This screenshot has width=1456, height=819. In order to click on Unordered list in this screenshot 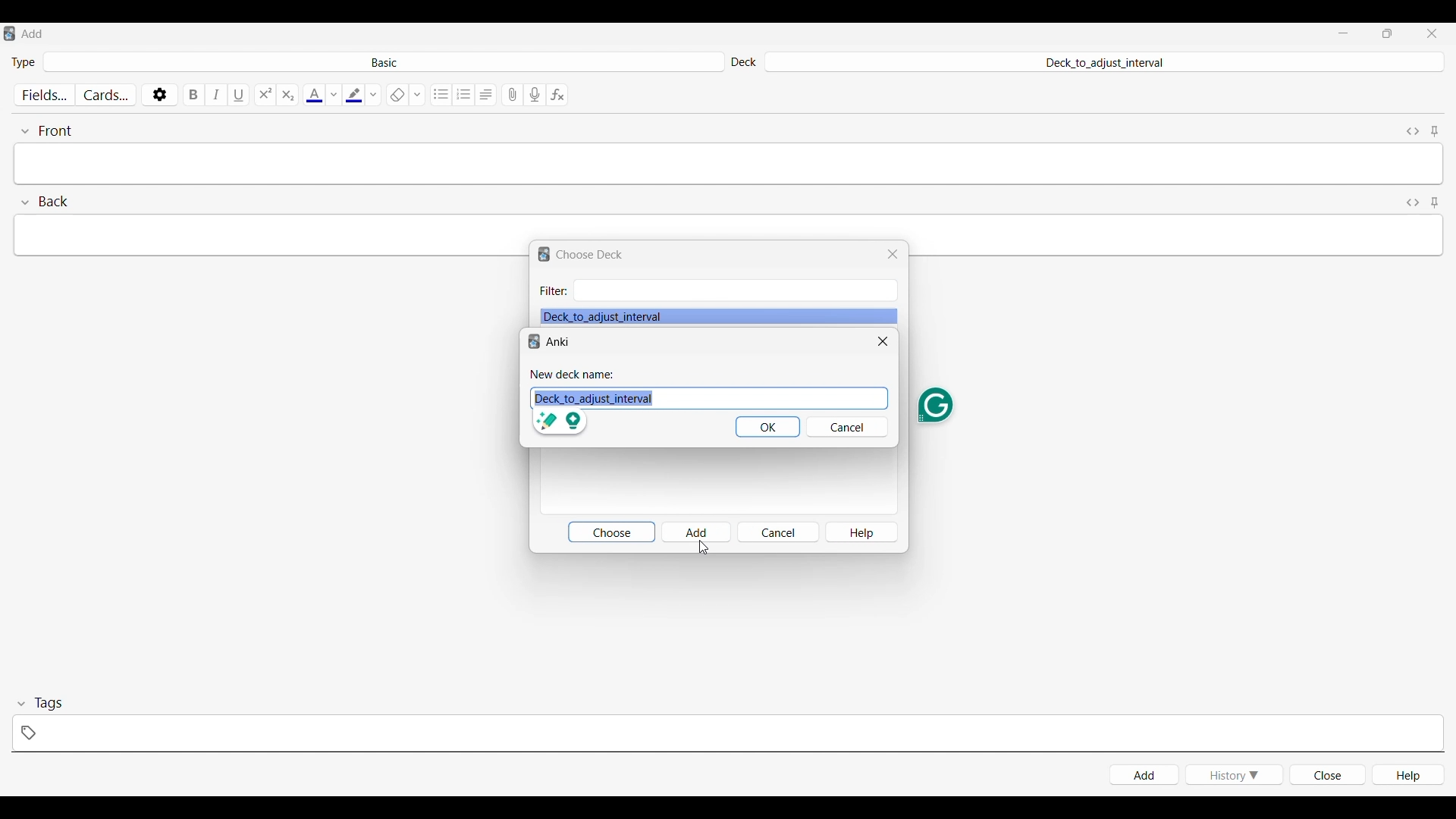, I will do `click(442, 95)`.